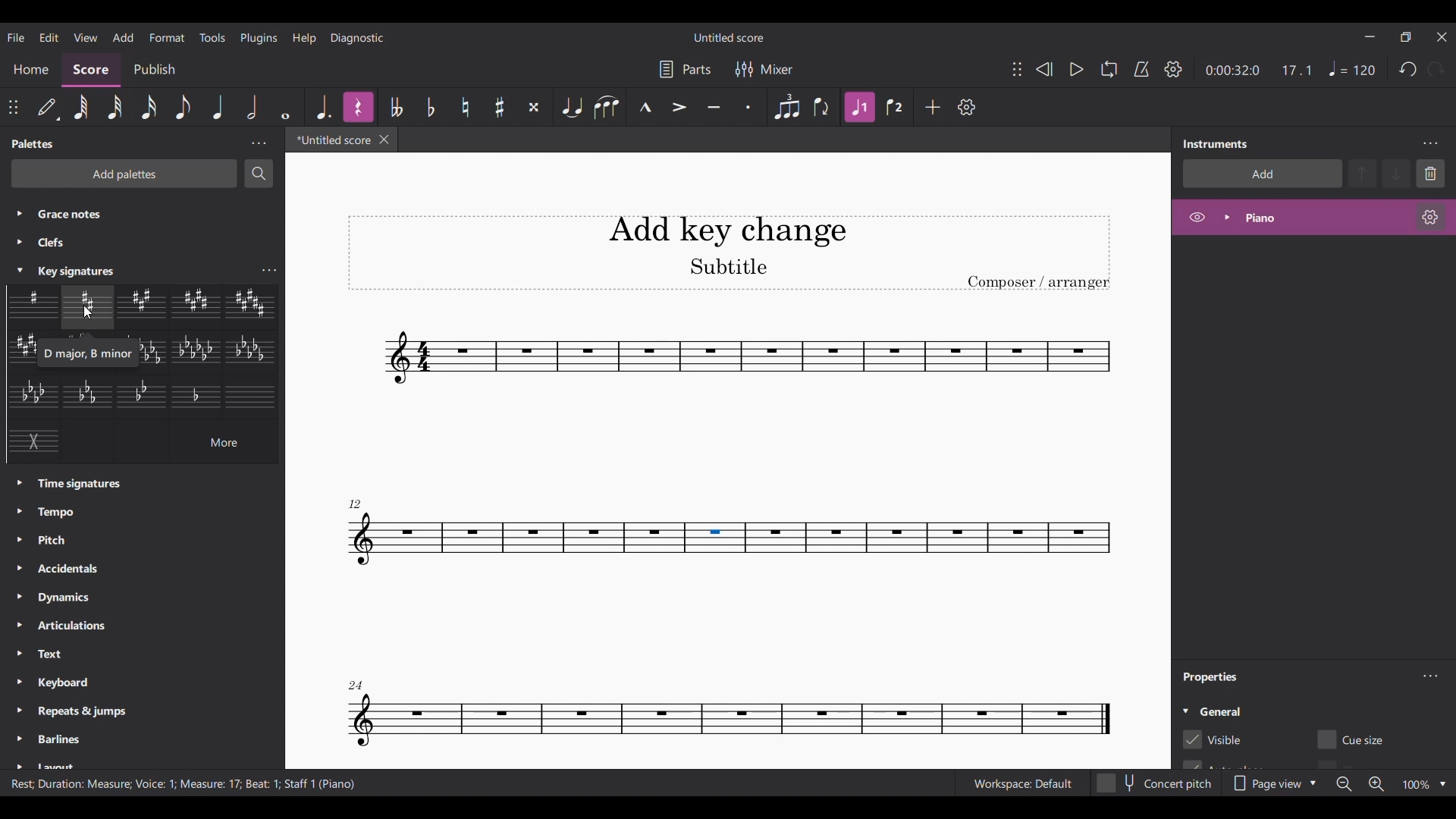 The image size is (1456, 819). I want to click on Parts, so click(684, 69).